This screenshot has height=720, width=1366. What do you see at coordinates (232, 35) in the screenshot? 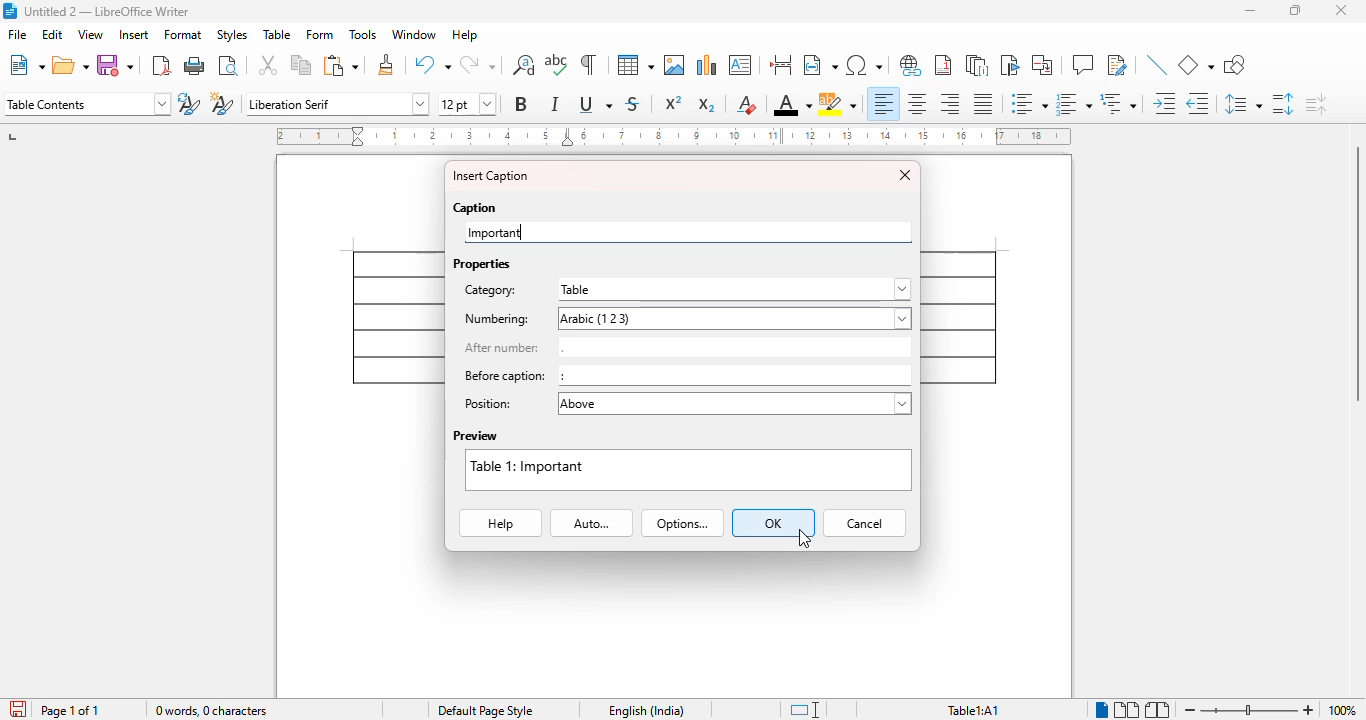
I see `styles` at bounding box center [232, 35].